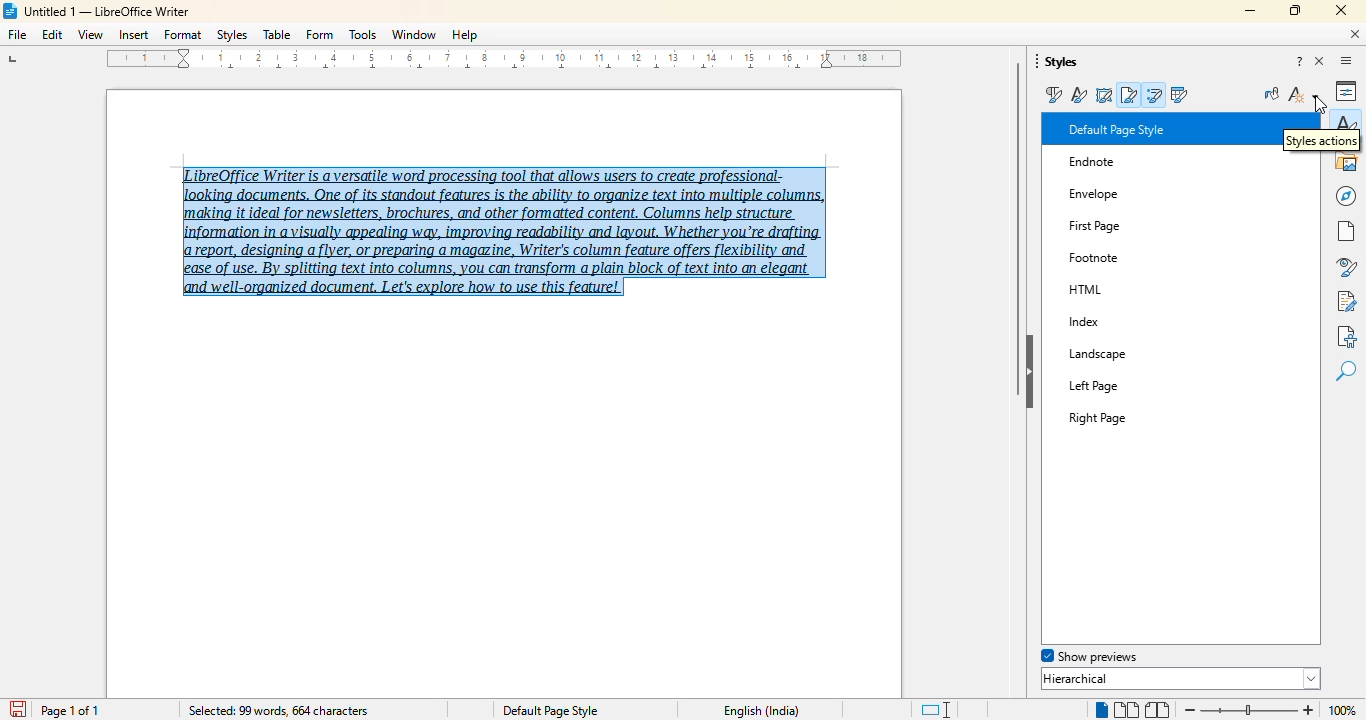 The width and height of the screenshot is (1366, 720). Describe the element at coordinates (1346, 61) in the screenshot. I see `sidebar settings` at that location.